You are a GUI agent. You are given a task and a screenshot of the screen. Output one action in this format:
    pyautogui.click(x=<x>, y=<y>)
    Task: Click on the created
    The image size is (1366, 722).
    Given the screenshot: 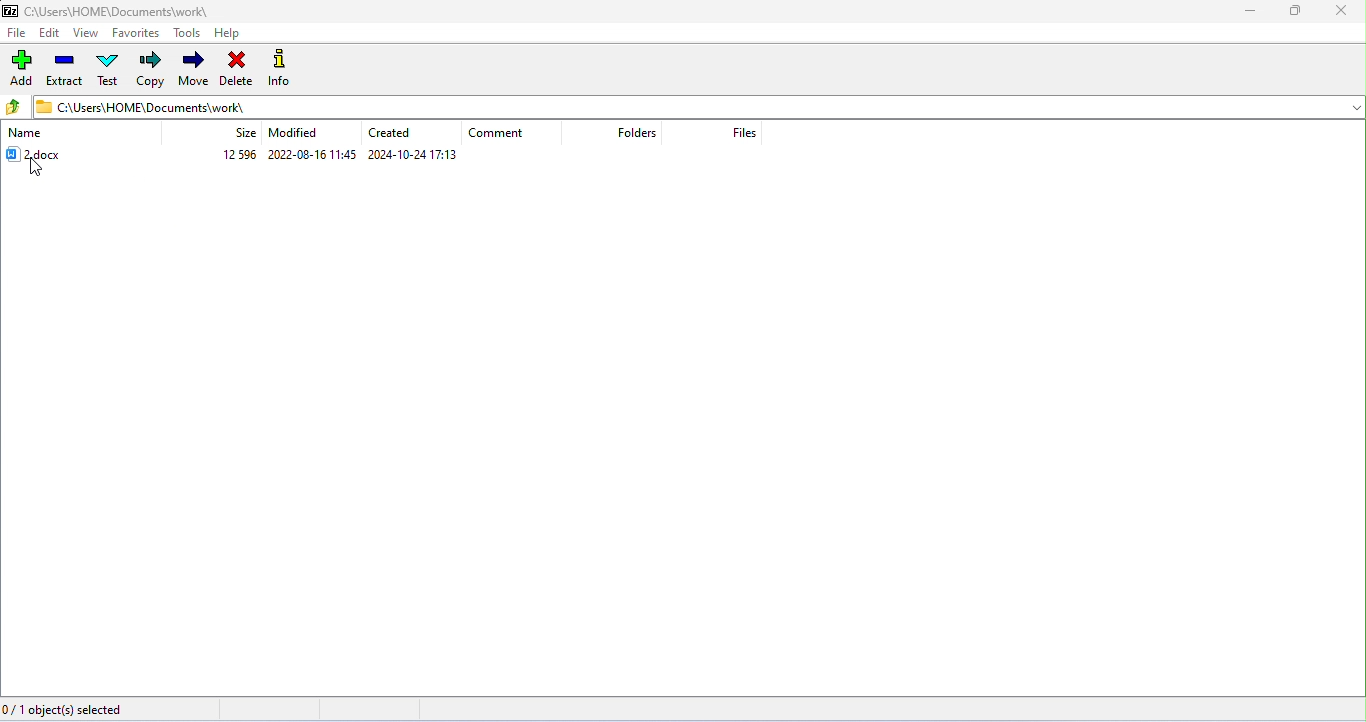 What is the action you would take?
    pyautogui.click(x=393, y=132)
    